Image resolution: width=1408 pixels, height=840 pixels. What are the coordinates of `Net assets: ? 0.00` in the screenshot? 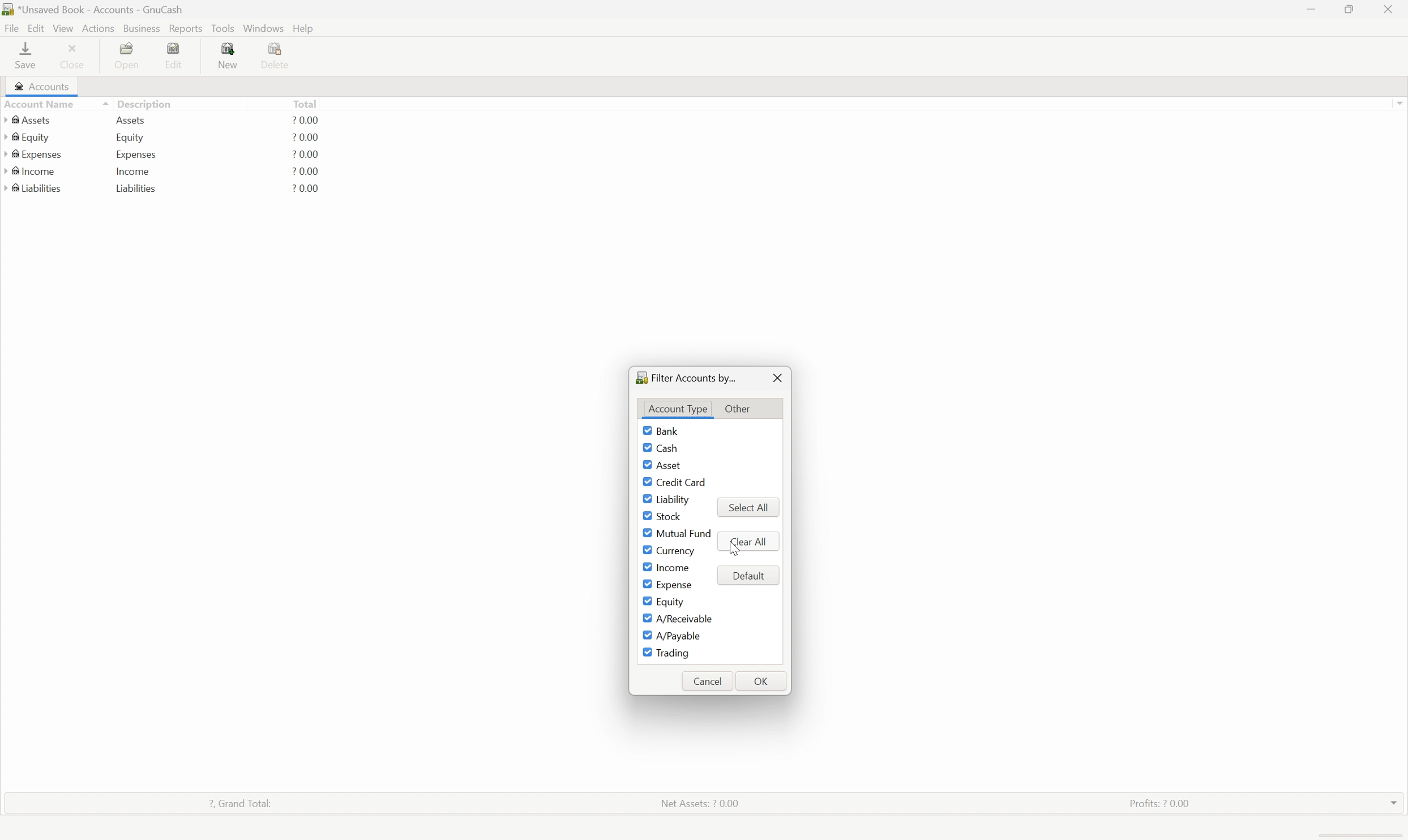 It's located at (700, 804).